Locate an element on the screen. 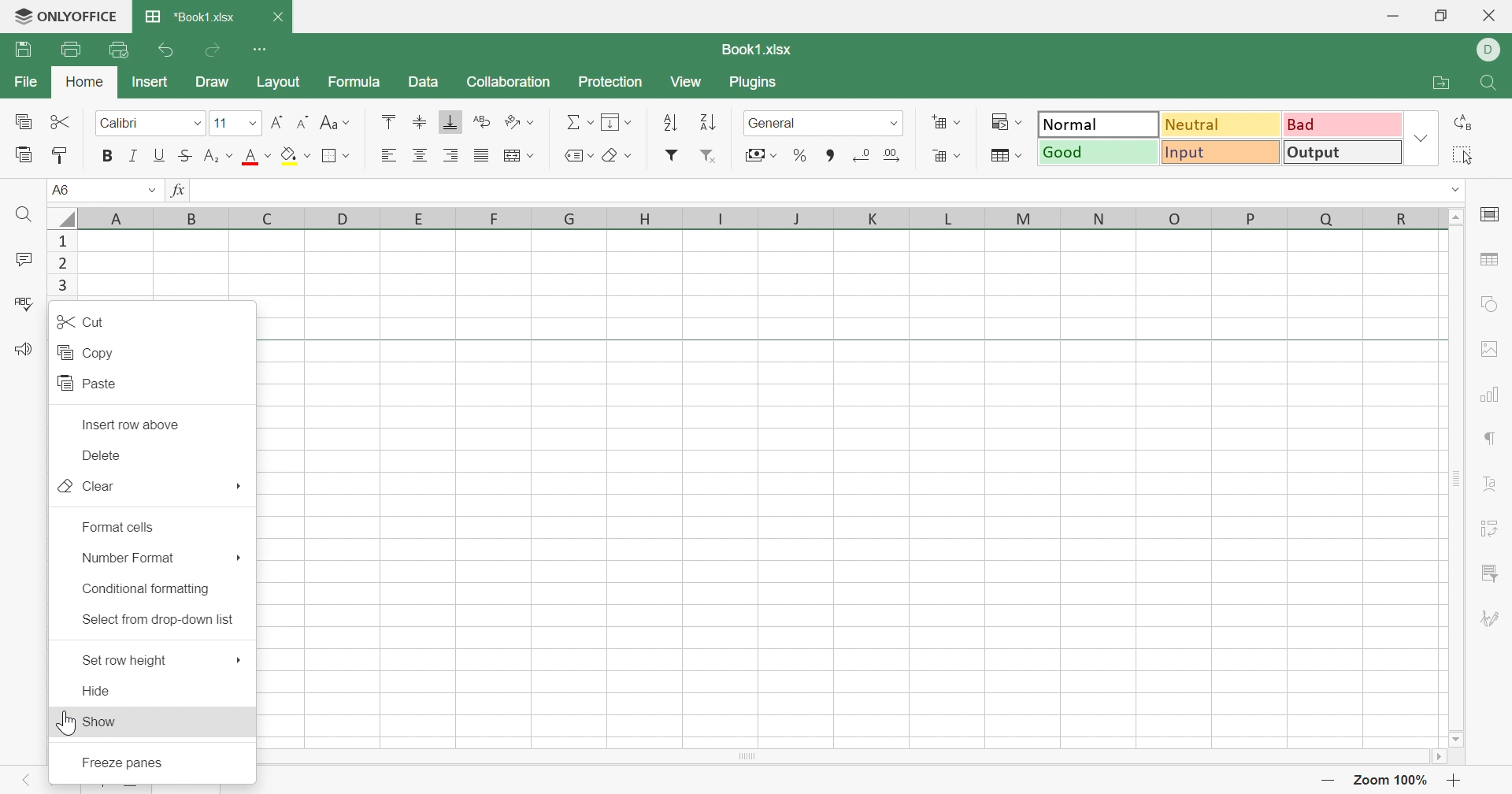 The height and width of the screenshot is (794, 1512). Layout is located at coordinates (278, 80).